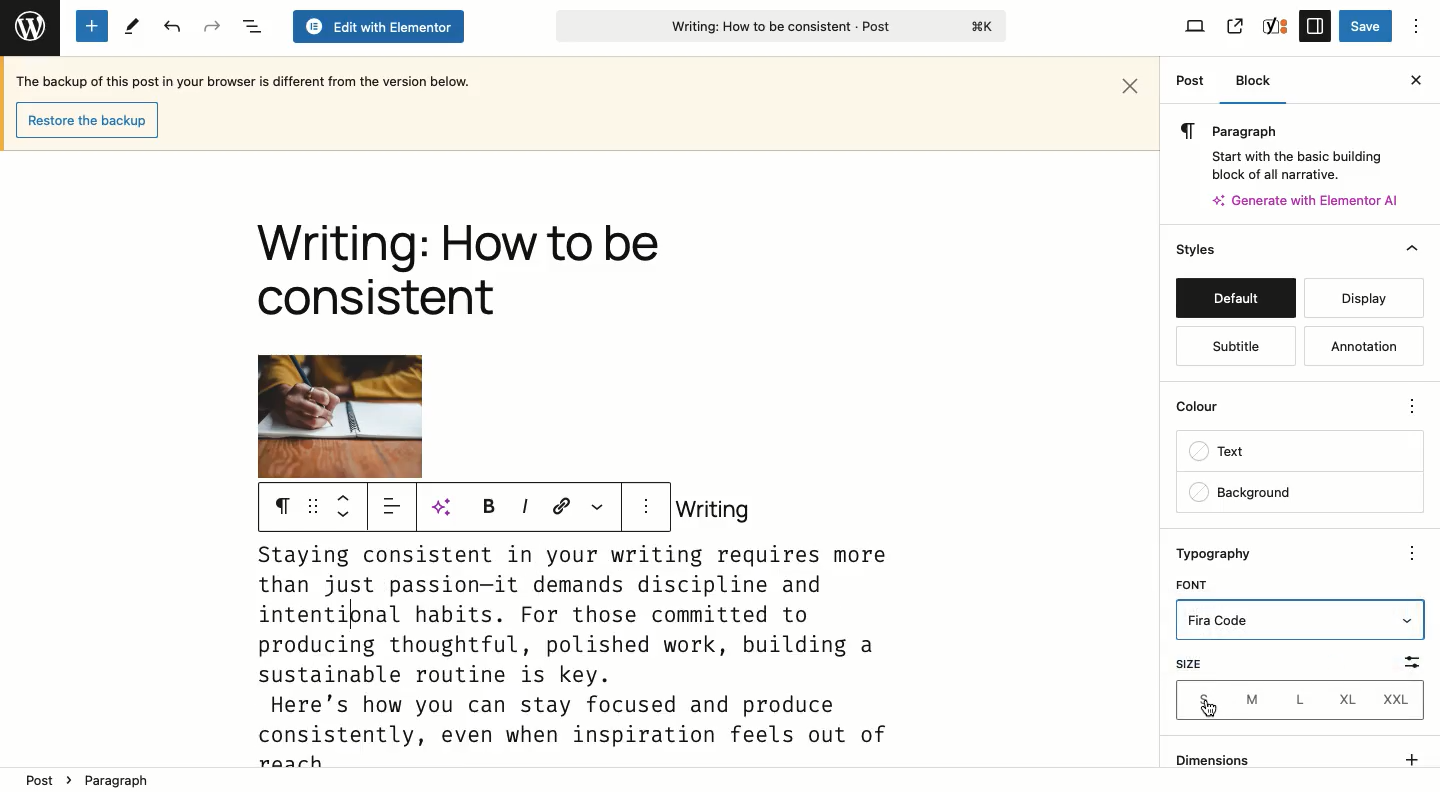 This screenshot has height=792, width=1440. Describe the element at coordinates (348, 506) in the screenshot. I see `Move up down` at that location.